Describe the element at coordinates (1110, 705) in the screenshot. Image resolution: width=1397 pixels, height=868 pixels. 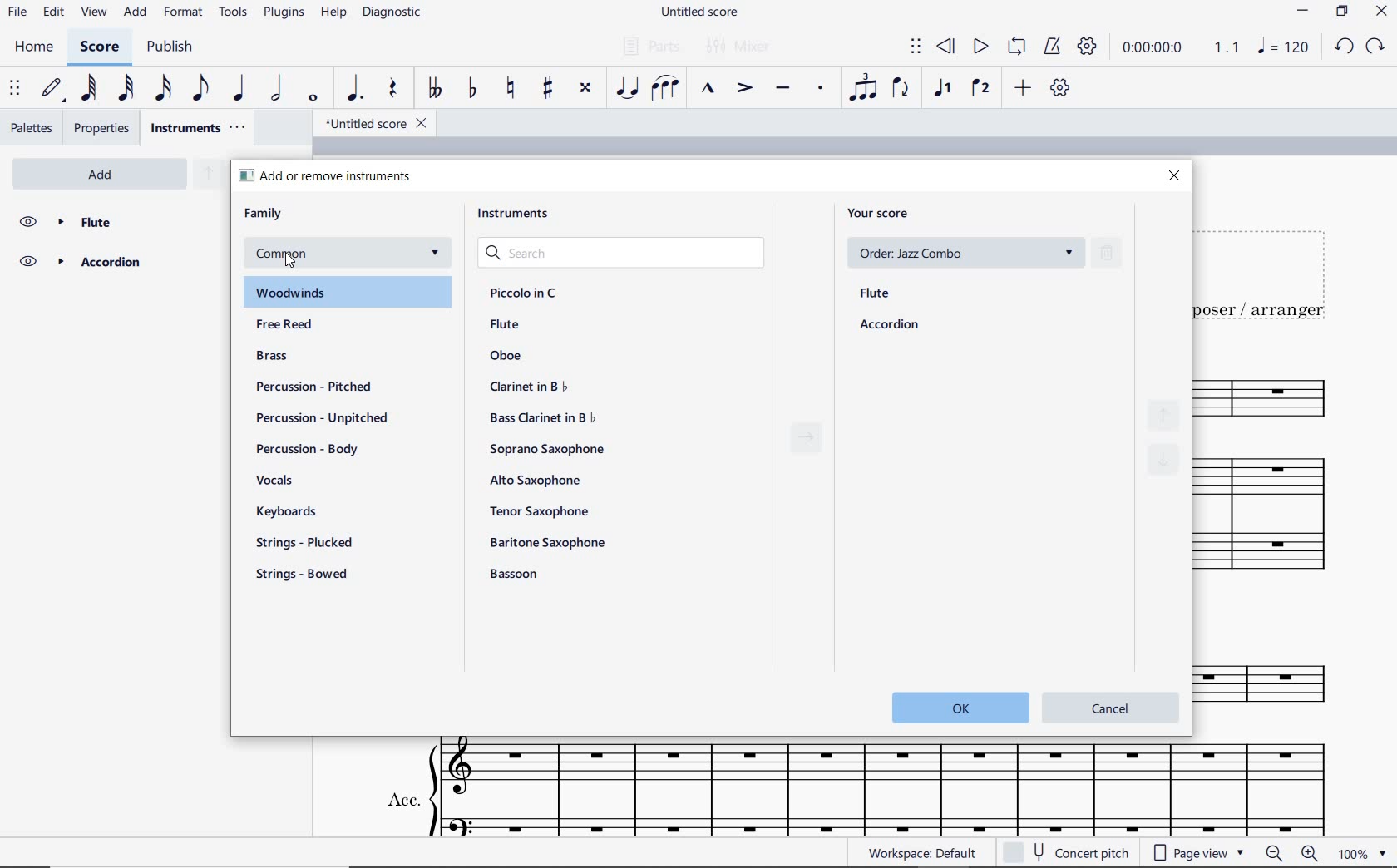
I see `cancel` at that location.